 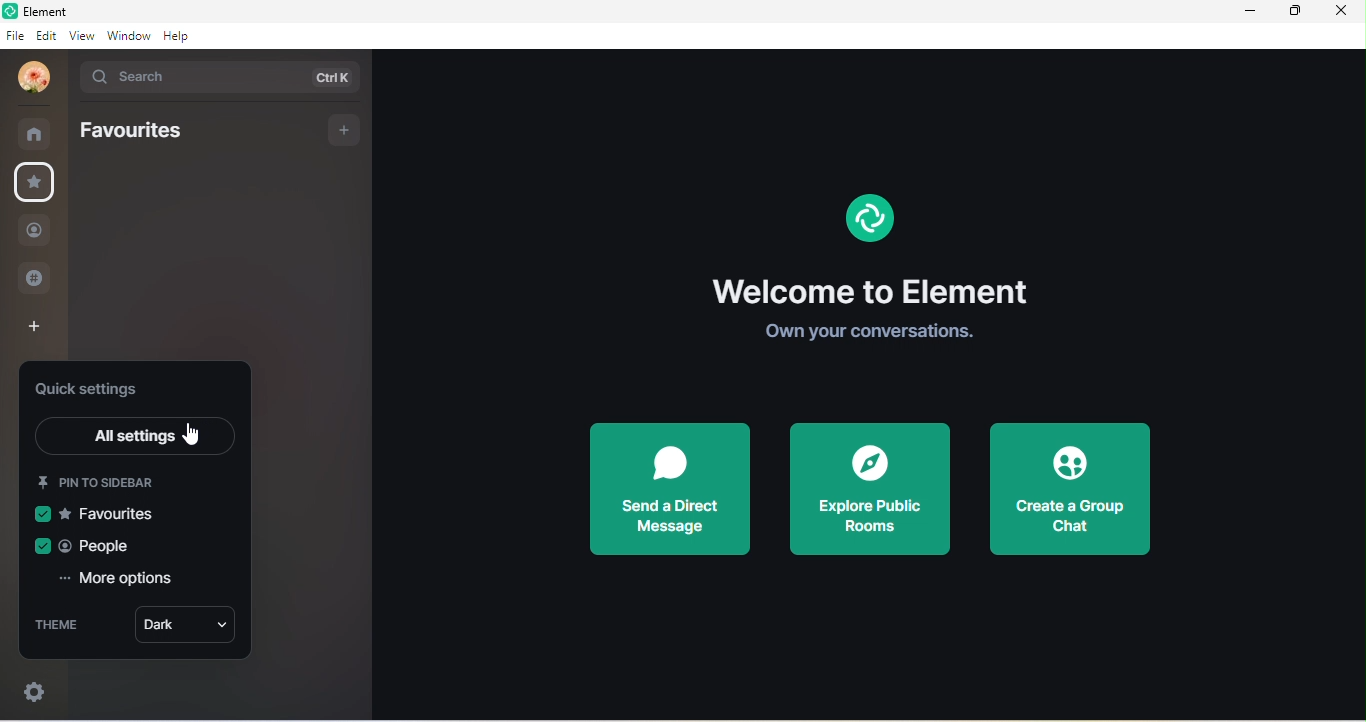 What do you see at coordinates (1246, 12) in the screenshot?
I see `minimize` at bounding box center [1246, 12].